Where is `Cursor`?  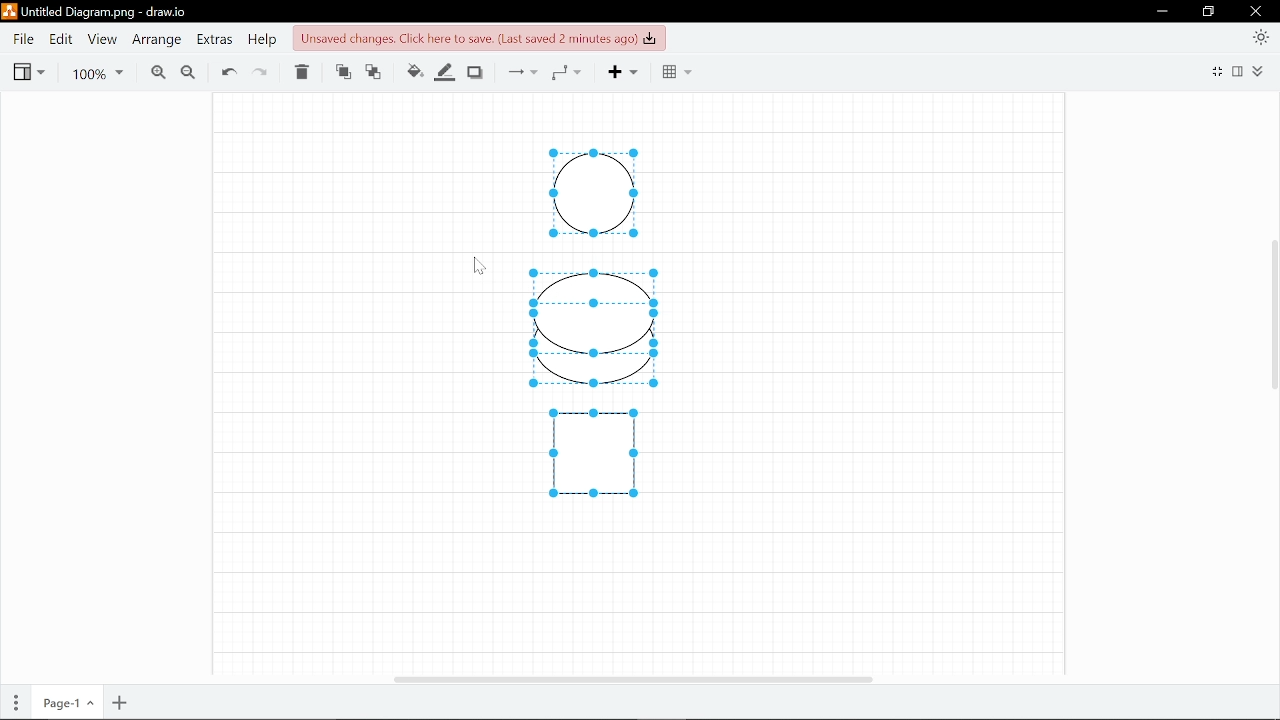 Cursor is located at coordinates (480, 265).